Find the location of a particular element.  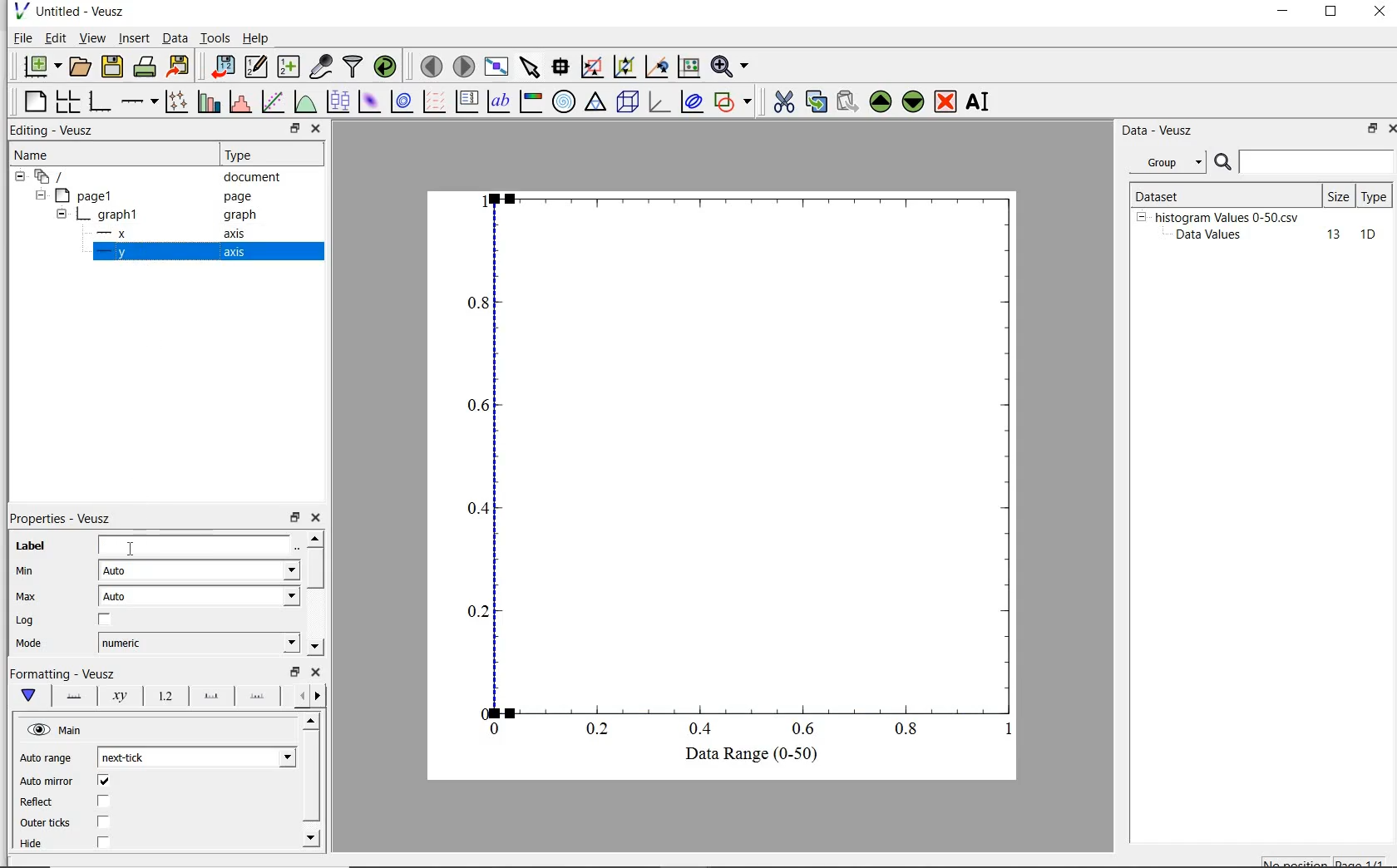

add axis on the plot is located at coordinates (139, 100).